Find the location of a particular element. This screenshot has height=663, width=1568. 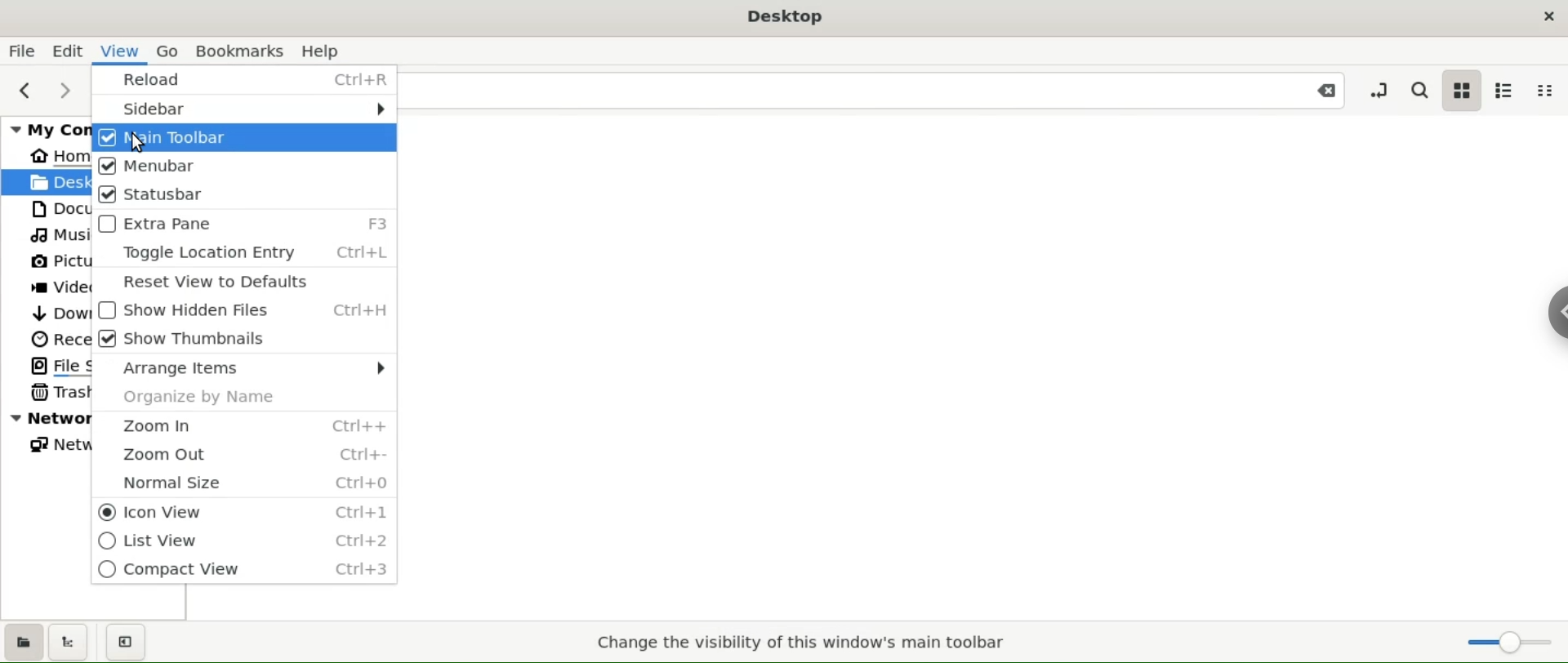

show thumbnails is located at coordinates (243, 341).